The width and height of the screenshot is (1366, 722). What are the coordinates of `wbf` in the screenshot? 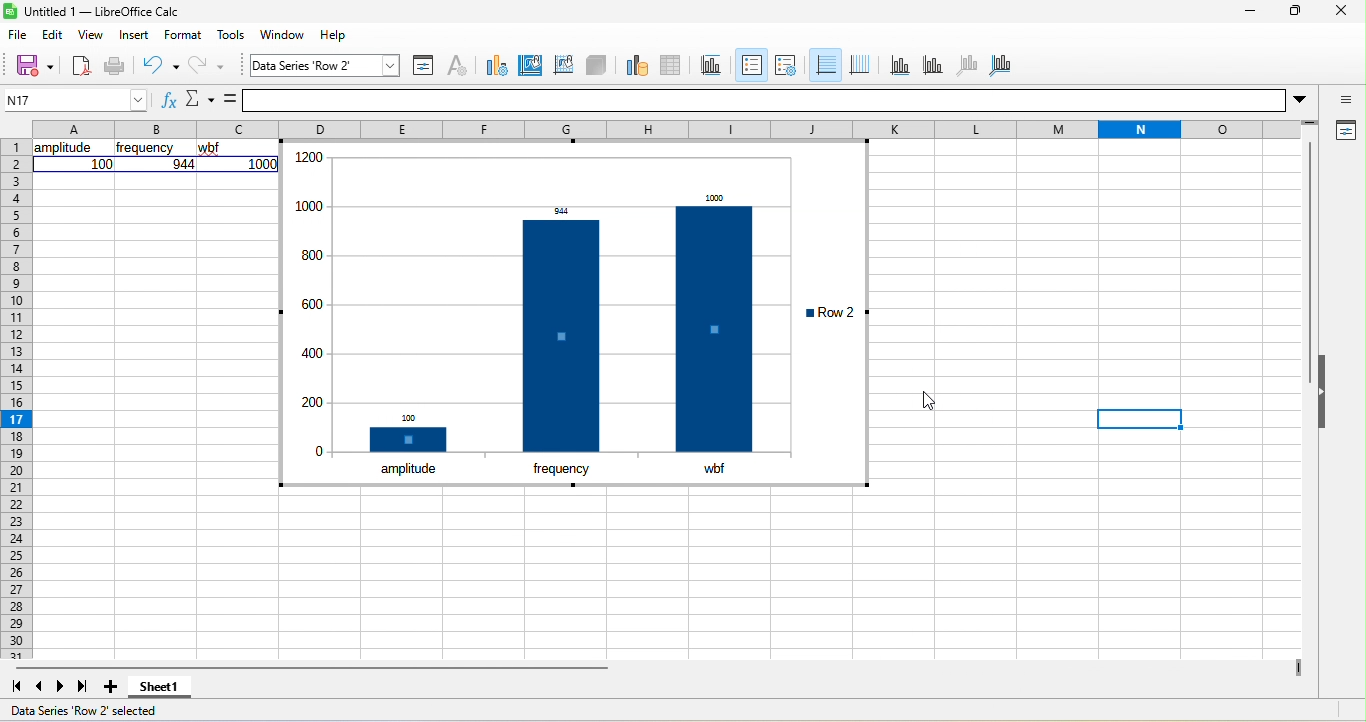 It's located at (214, 149).